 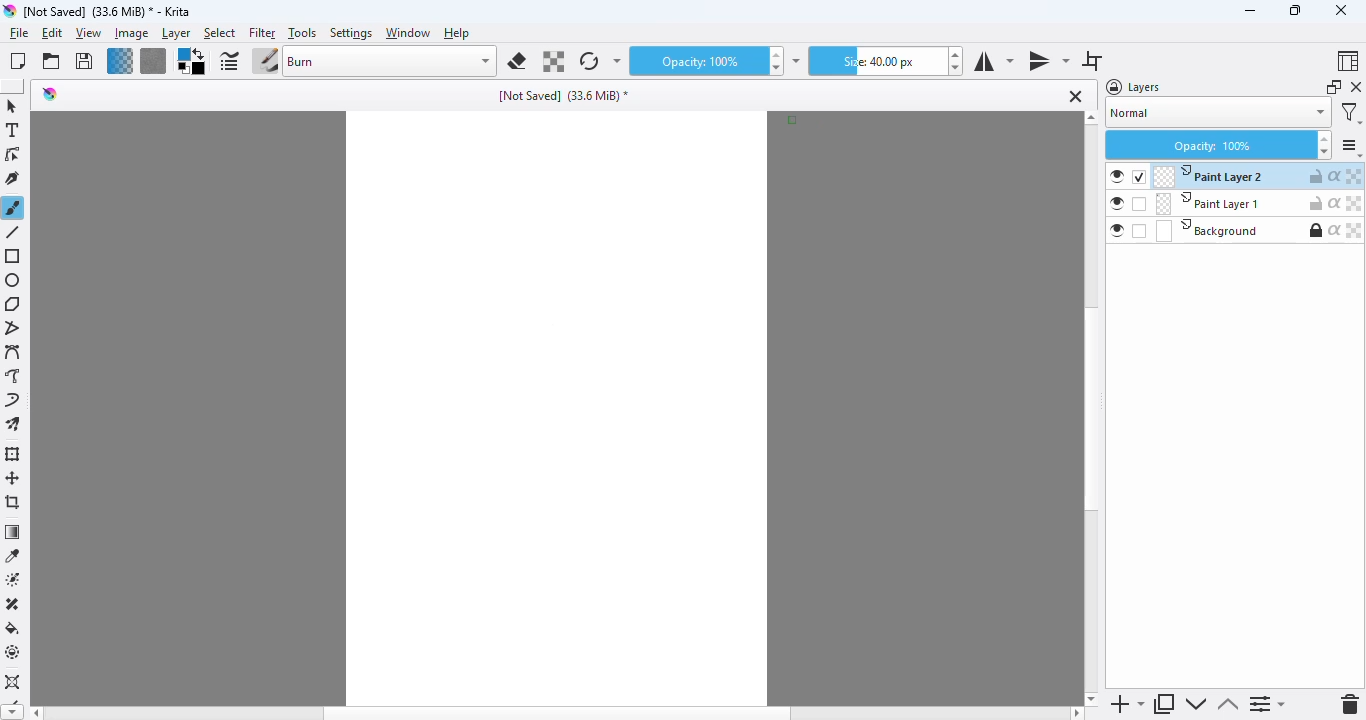 What do you see at coordinates (1208, 230) in the screenshot?
I see `background` at bounding box center [1208, 230].